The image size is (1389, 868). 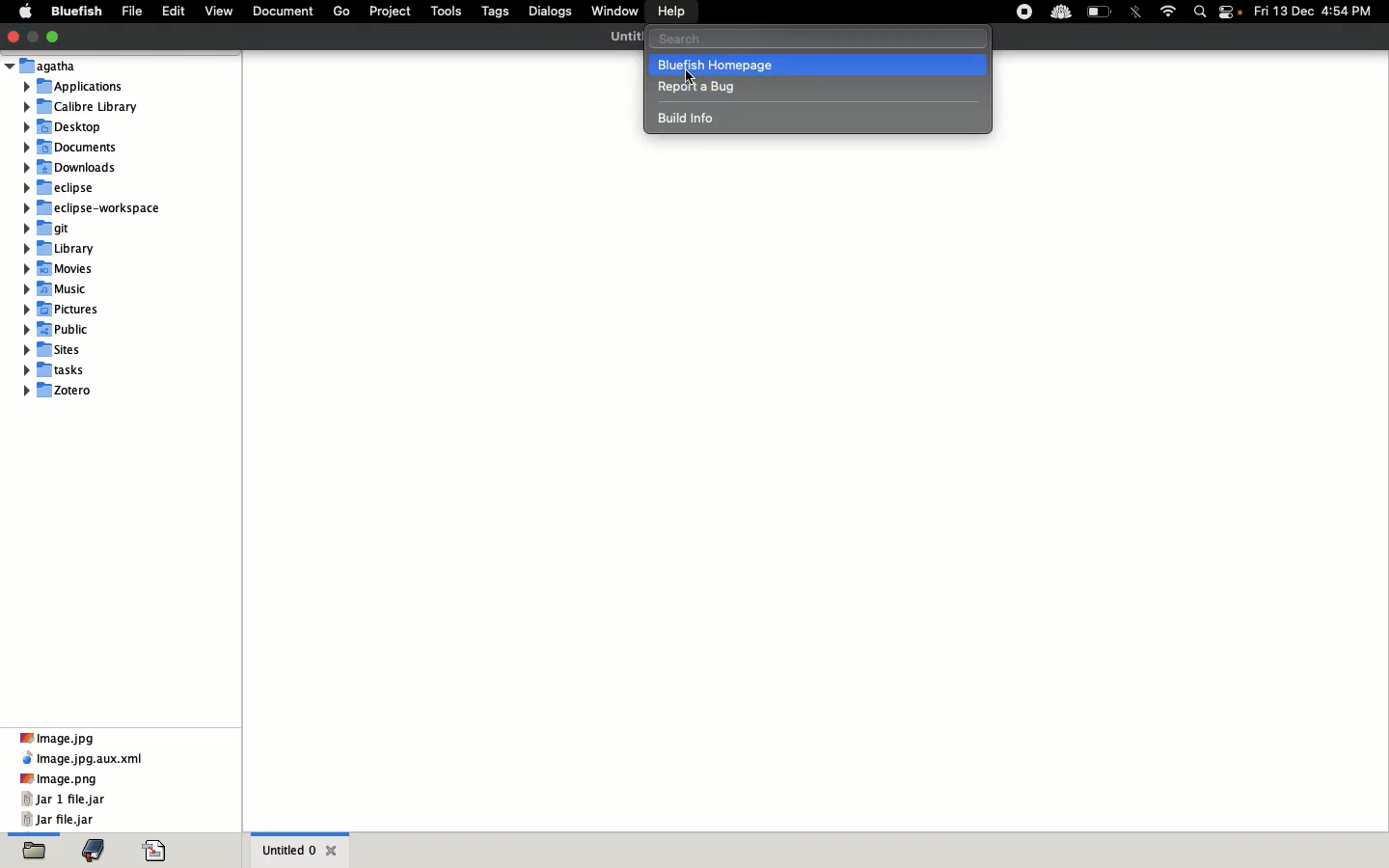 What do you see at coordinates (1168, 11) in the screenshot?
I see `Internet` at bounding box center [1168, 11].